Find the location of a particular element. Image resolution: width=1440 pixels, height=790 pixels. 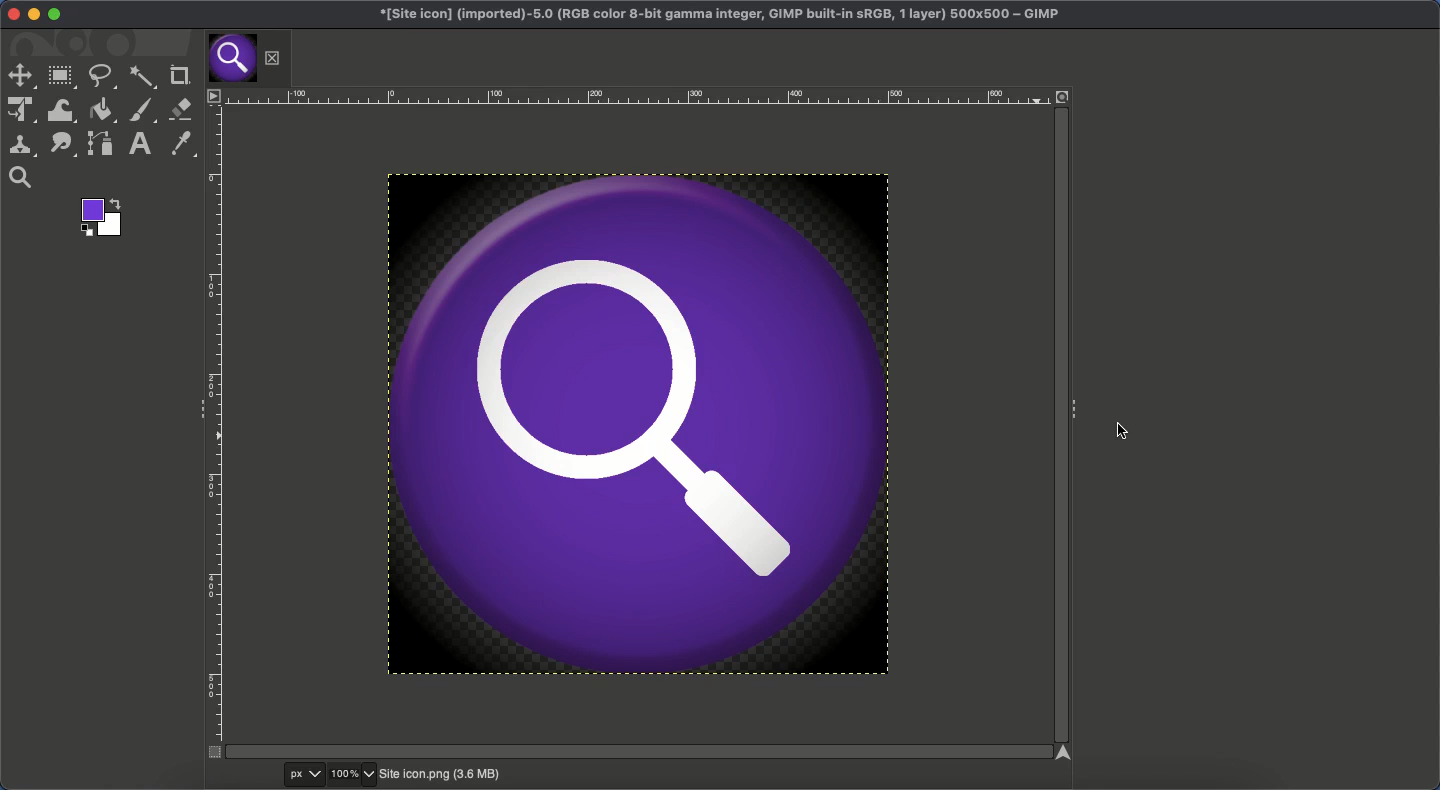

Rectangular selector is located at coordinates (62, 78).